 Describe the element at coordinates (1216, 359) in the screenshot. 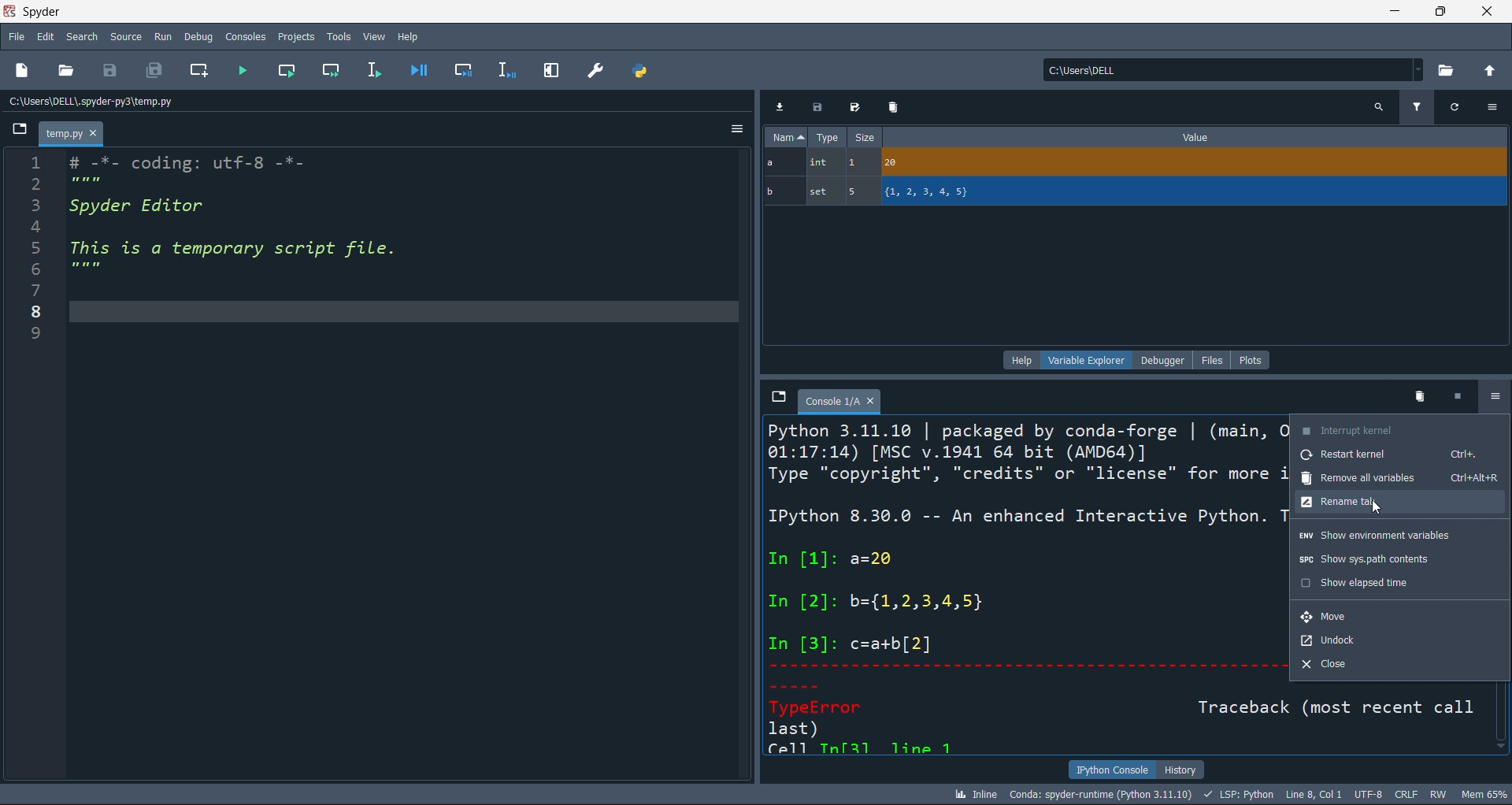

I see `file` at that location.